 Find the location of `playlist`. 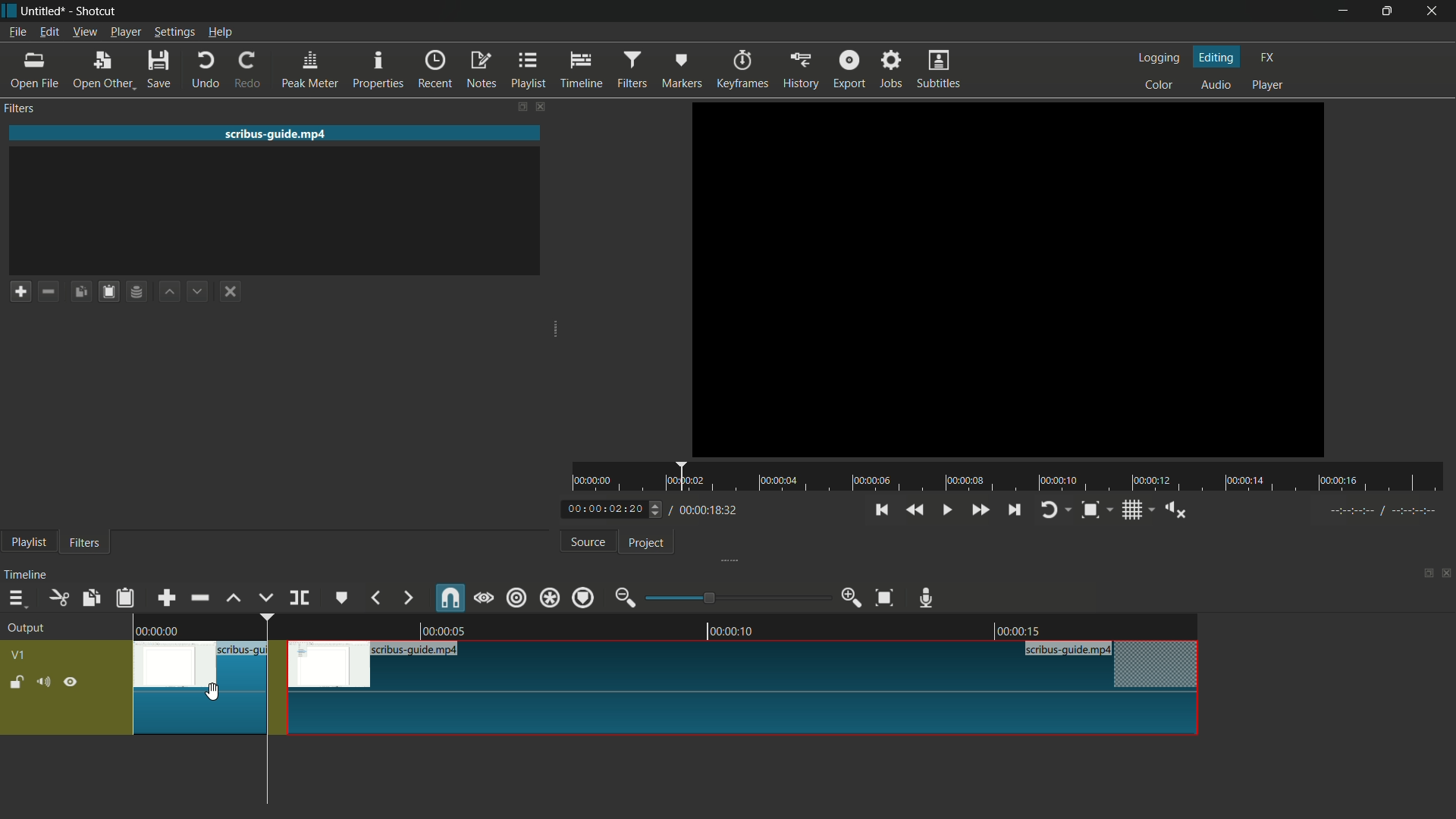

playlist is located at coordinates (531, 69).